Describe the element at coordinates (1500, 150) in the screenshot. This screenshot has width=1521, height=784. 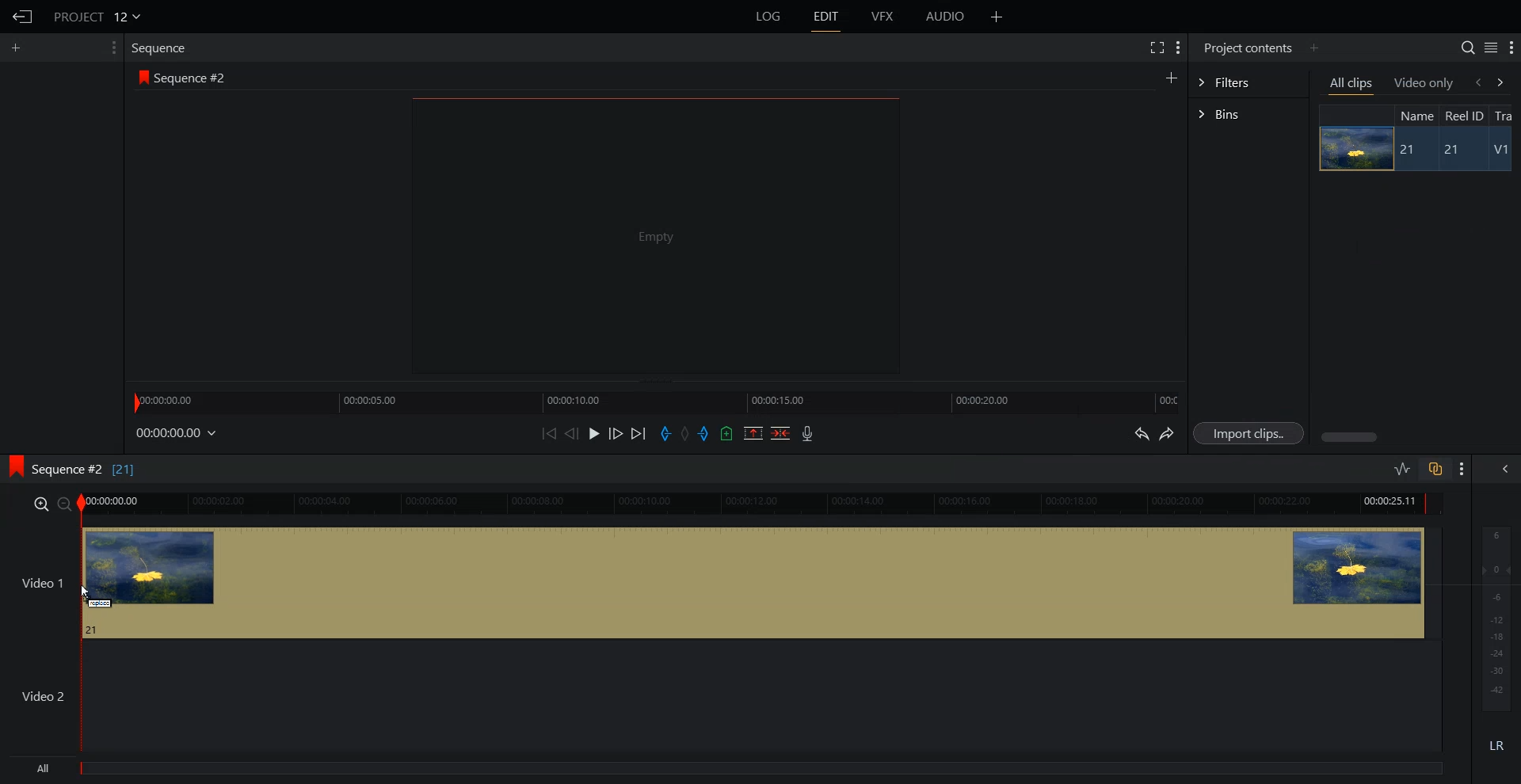
I see `V1` at that location.